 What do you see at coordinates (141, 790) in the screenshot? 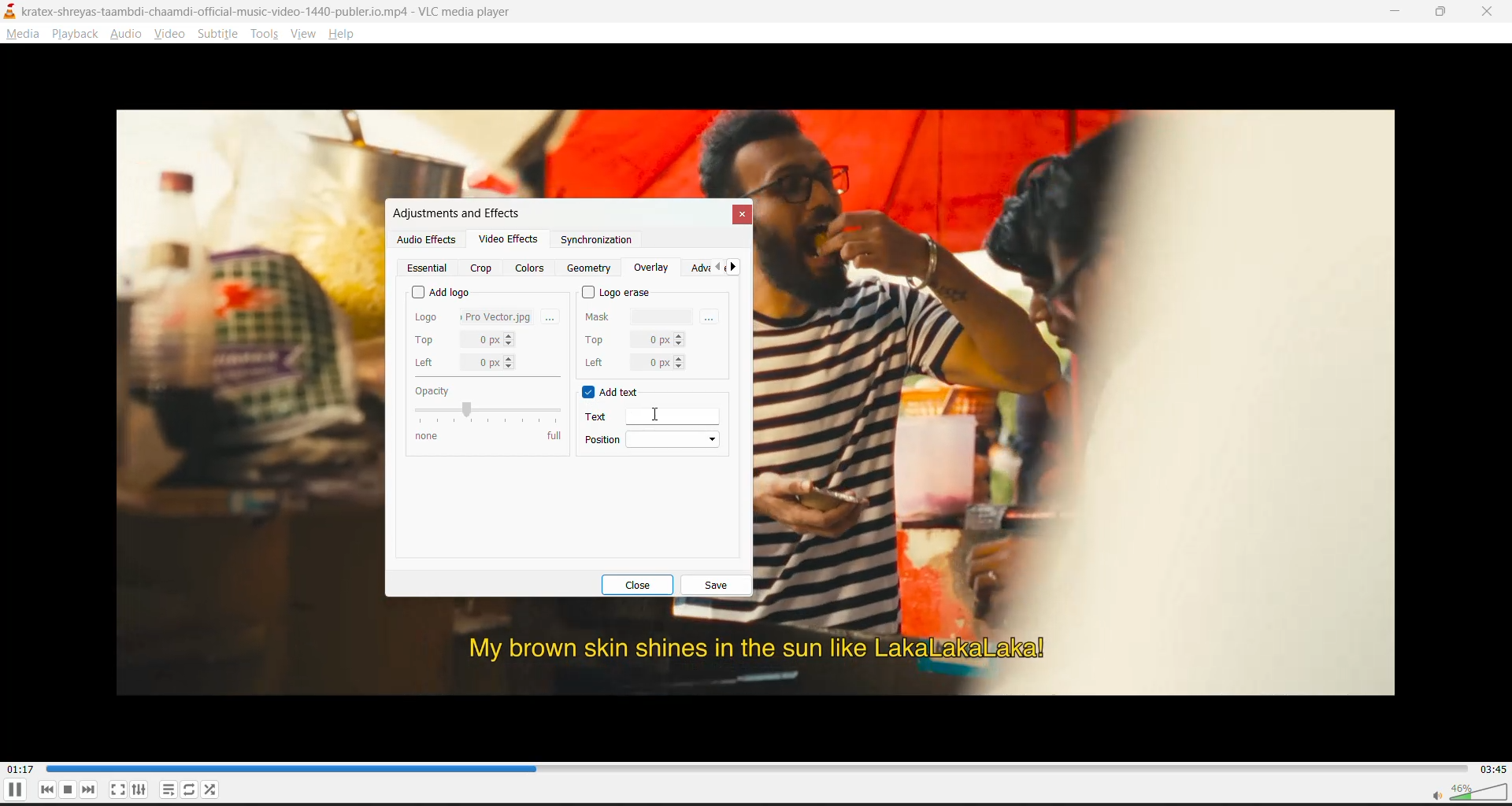
I see `settings` at bounding box center [141, 790].